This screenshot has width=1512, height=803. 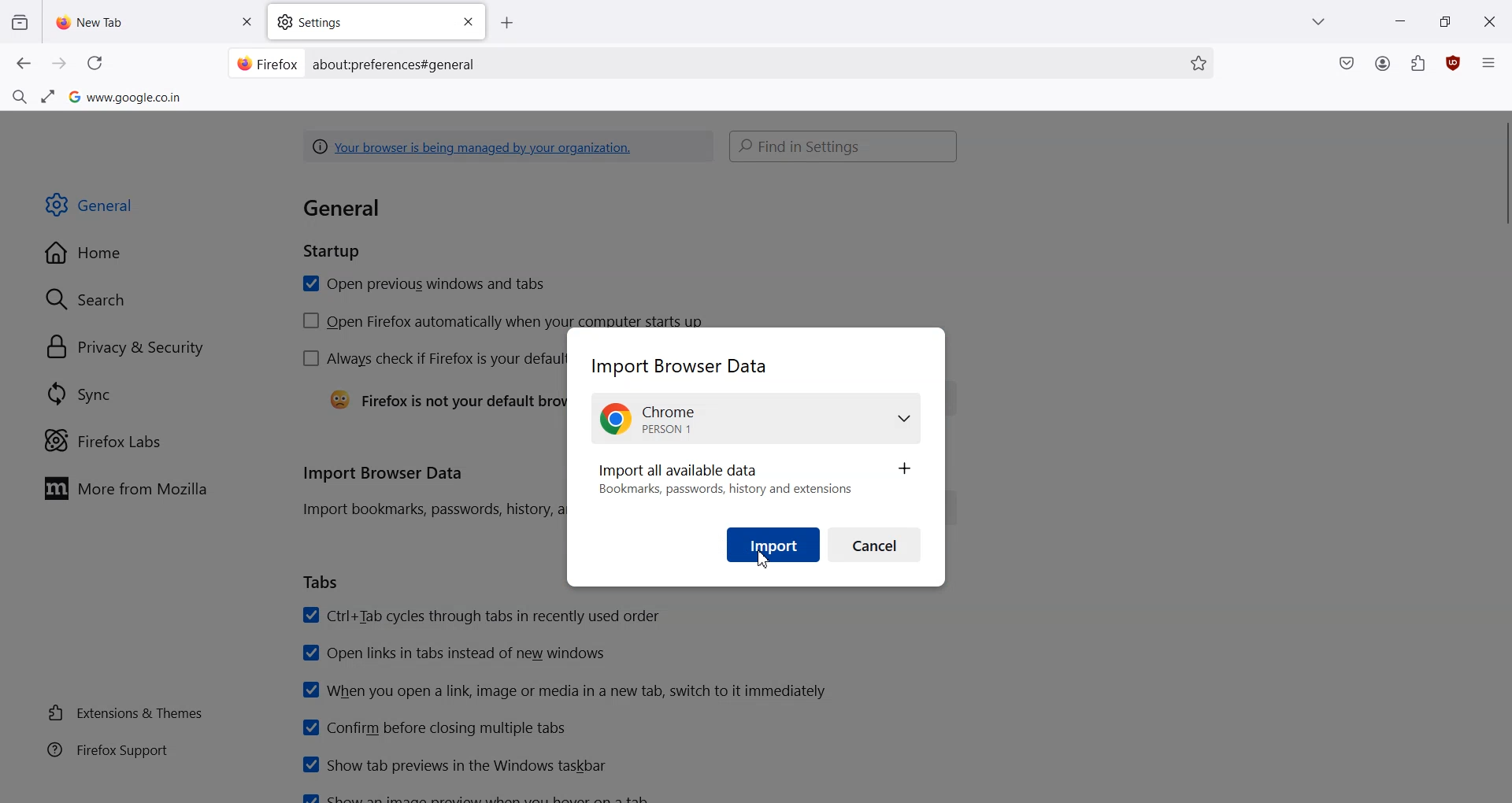 What do you see at coordinates (108, 749) in the screenshot?
I see `Firefox Support` at bounding box center [108, 749].